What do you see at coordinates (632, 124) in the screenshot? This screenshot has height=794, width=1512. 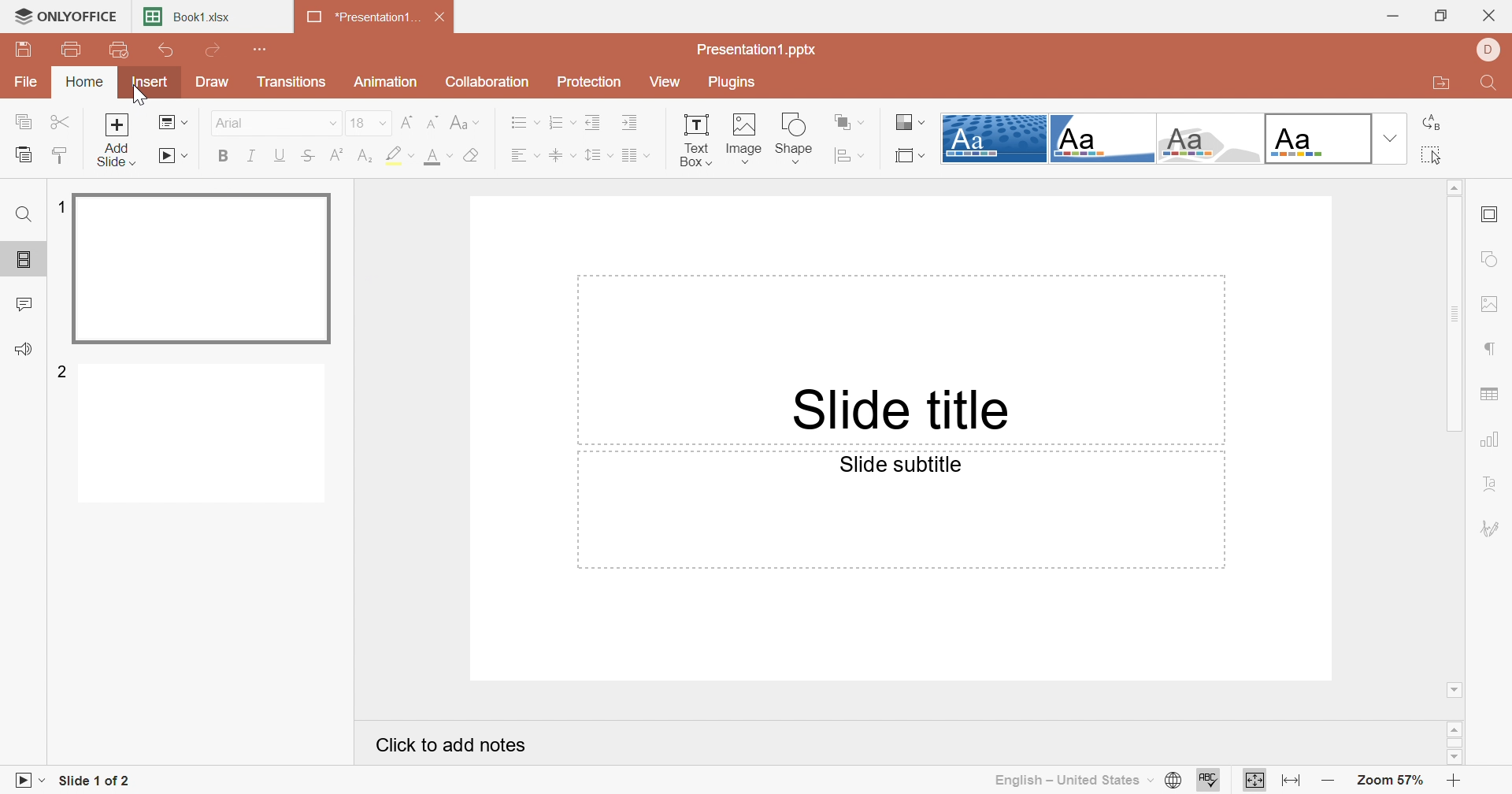 I see `Increase Indent` at bounding box center [632, 124].